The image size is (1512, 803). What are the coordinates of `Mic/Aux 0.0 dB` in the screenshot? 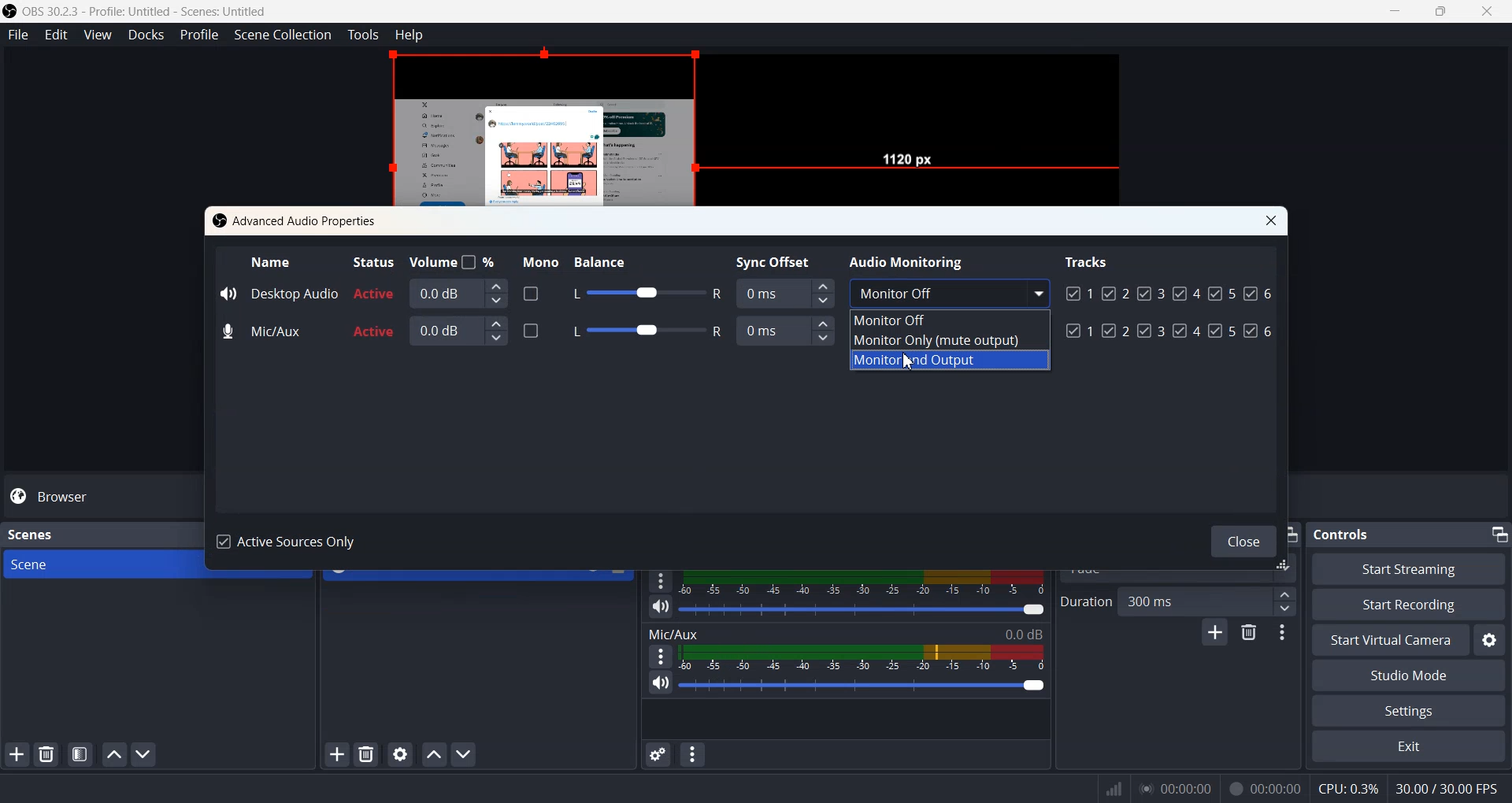 It's located at (845, 632).